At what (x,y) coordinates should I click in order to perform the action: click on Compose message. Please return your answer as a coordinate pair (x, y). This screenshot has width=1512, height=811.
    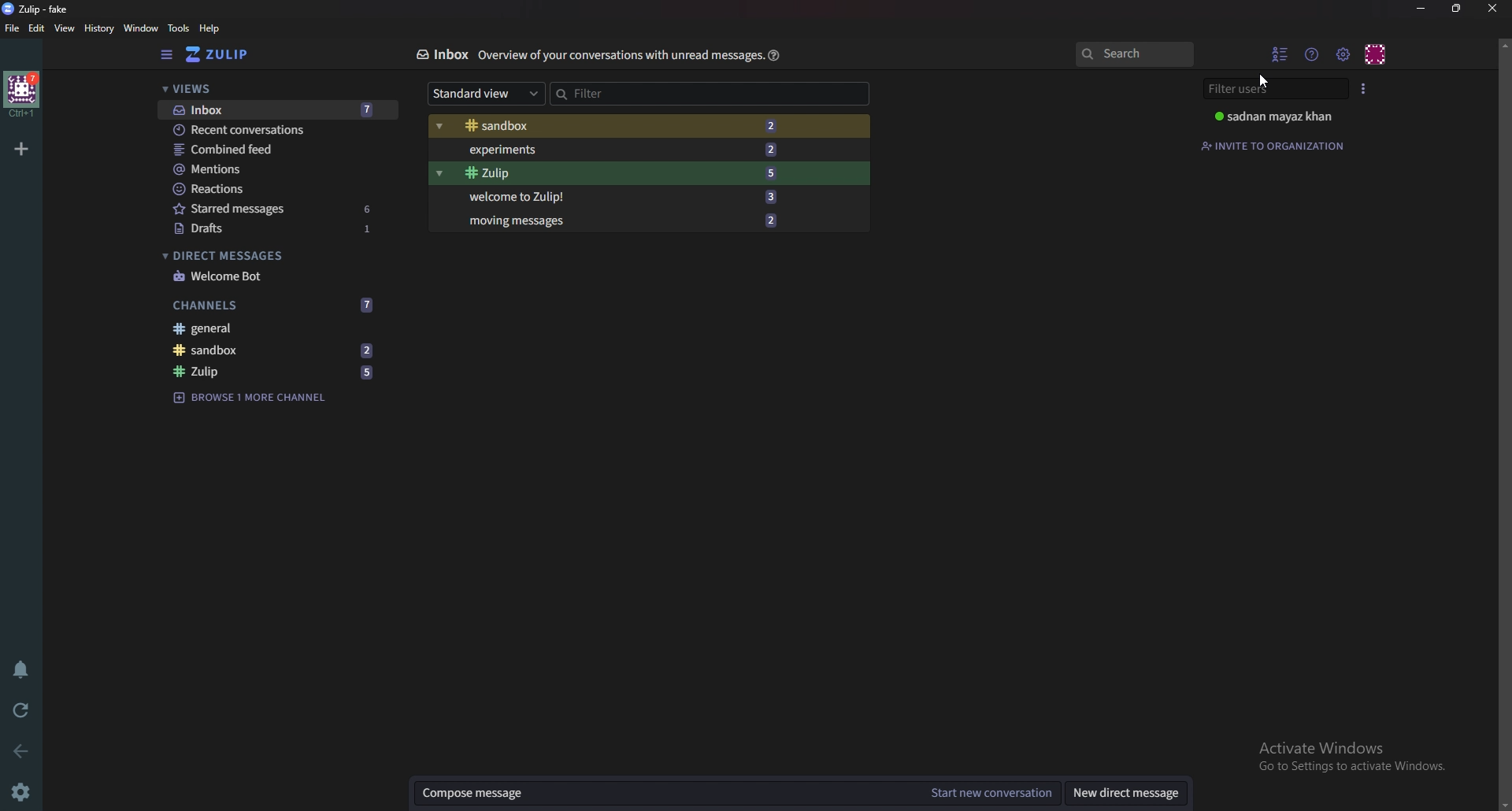
    Looking at the image, I should click on (667, 793).